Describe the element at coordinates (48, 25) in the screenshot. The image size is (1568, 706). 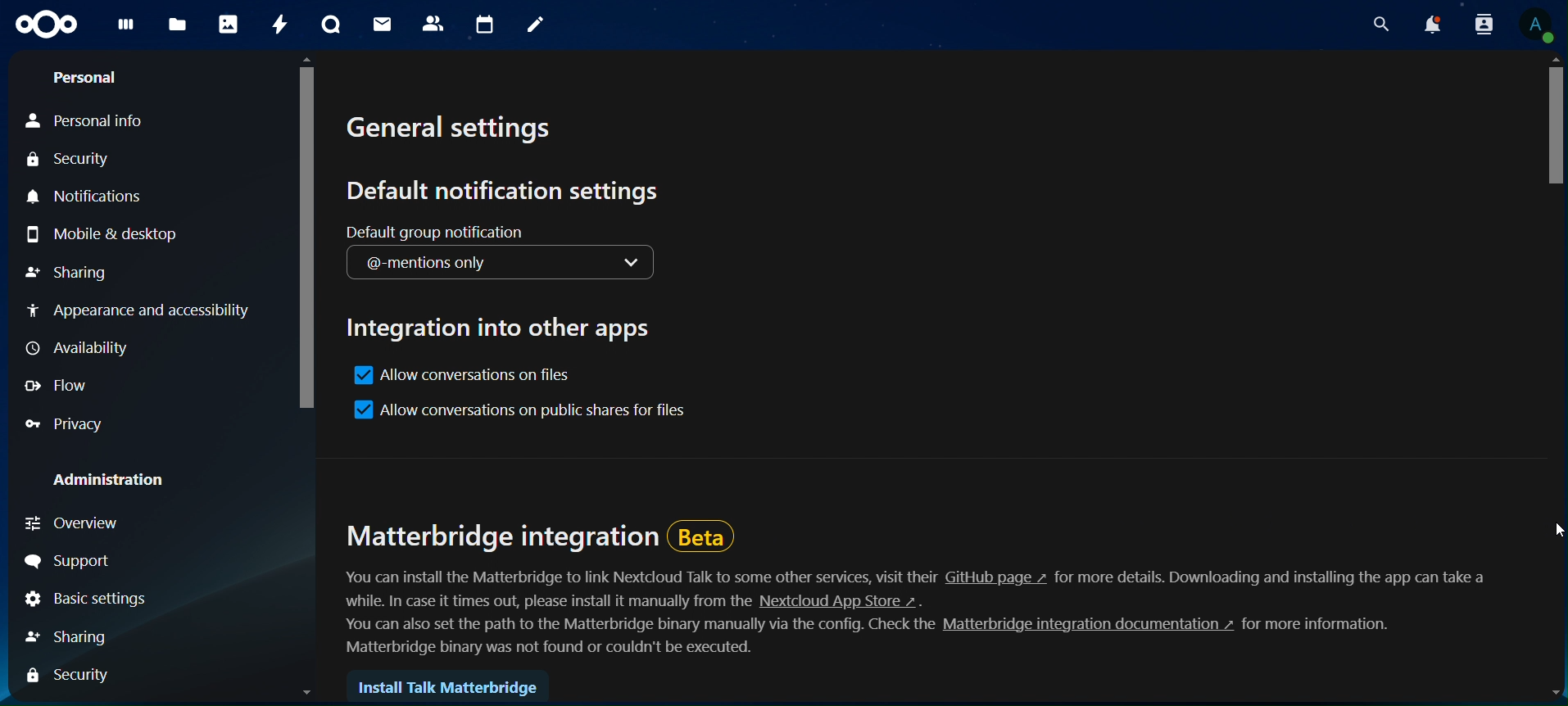
I see `icon` at that location.